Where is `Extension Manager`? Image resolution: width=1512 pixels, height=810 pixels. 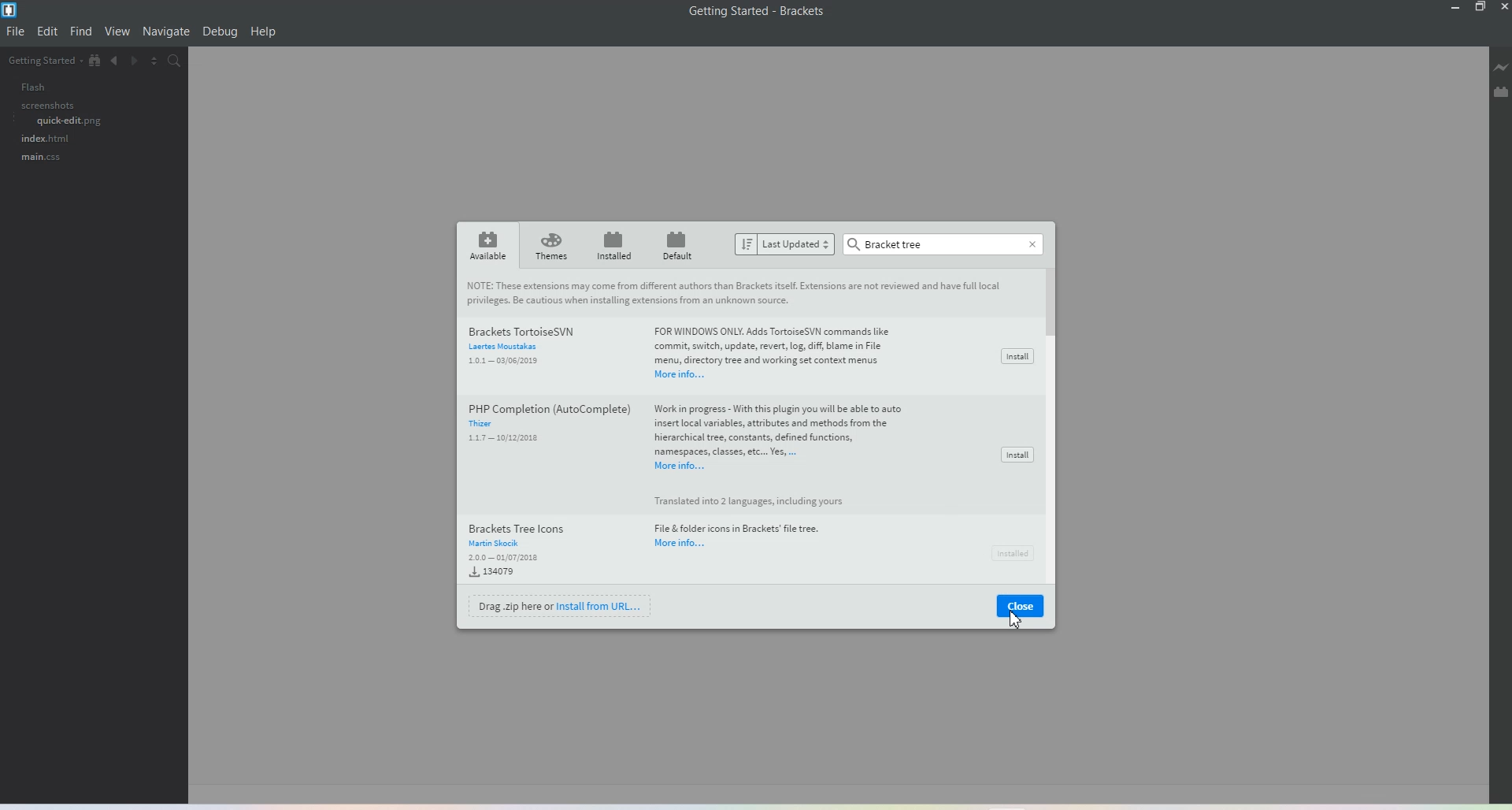
Extension Manager is located at coordinates (1501, 94).